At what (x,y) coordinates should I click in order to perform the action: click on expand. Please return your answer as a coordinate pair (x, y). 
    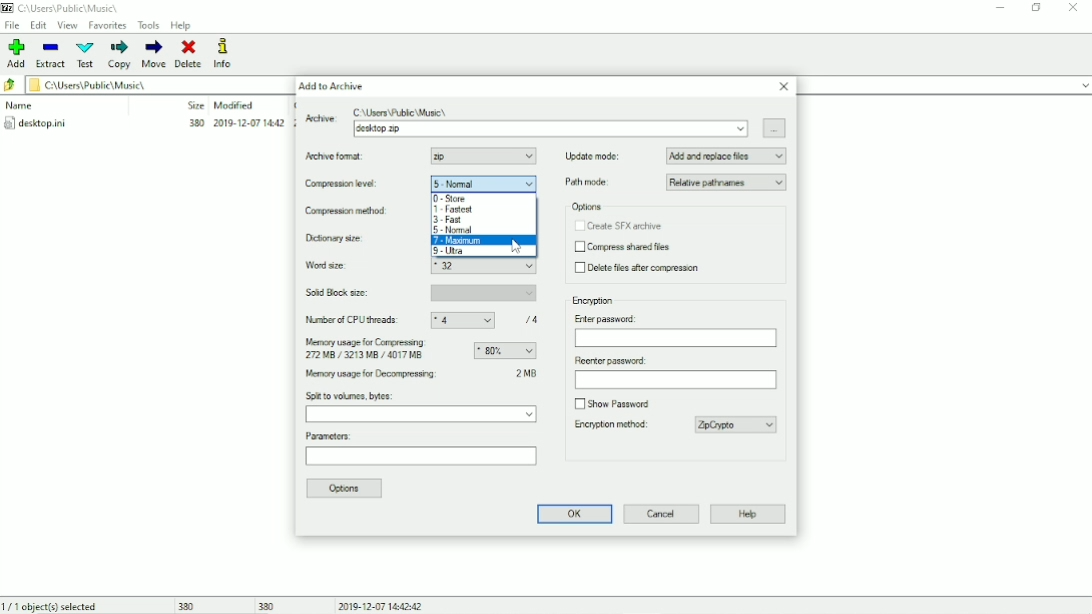
    Looking at the image, I should click on (1084, 86).